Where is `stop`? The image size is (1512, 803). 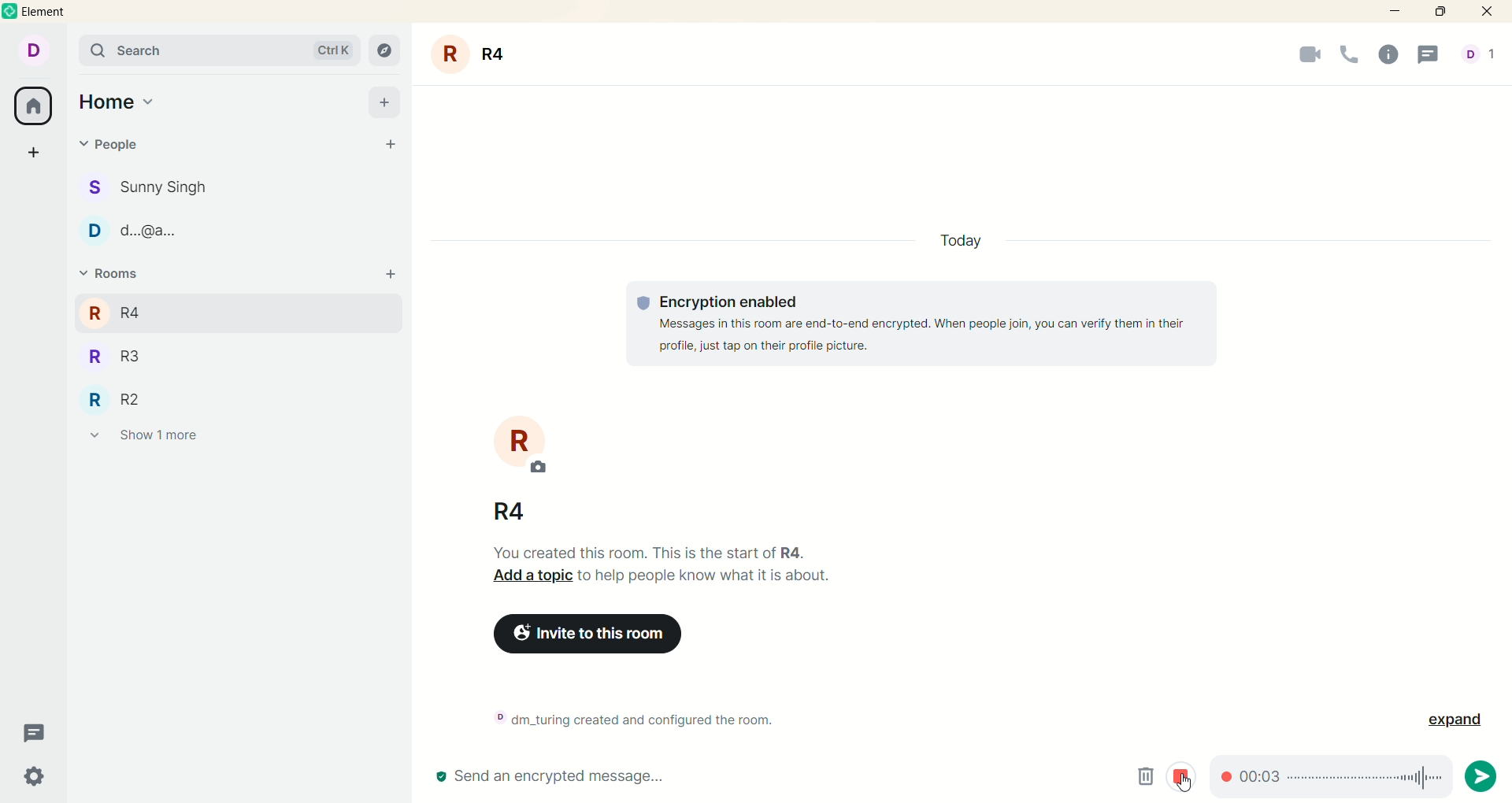 stop is located at coordinates (1185, 776).